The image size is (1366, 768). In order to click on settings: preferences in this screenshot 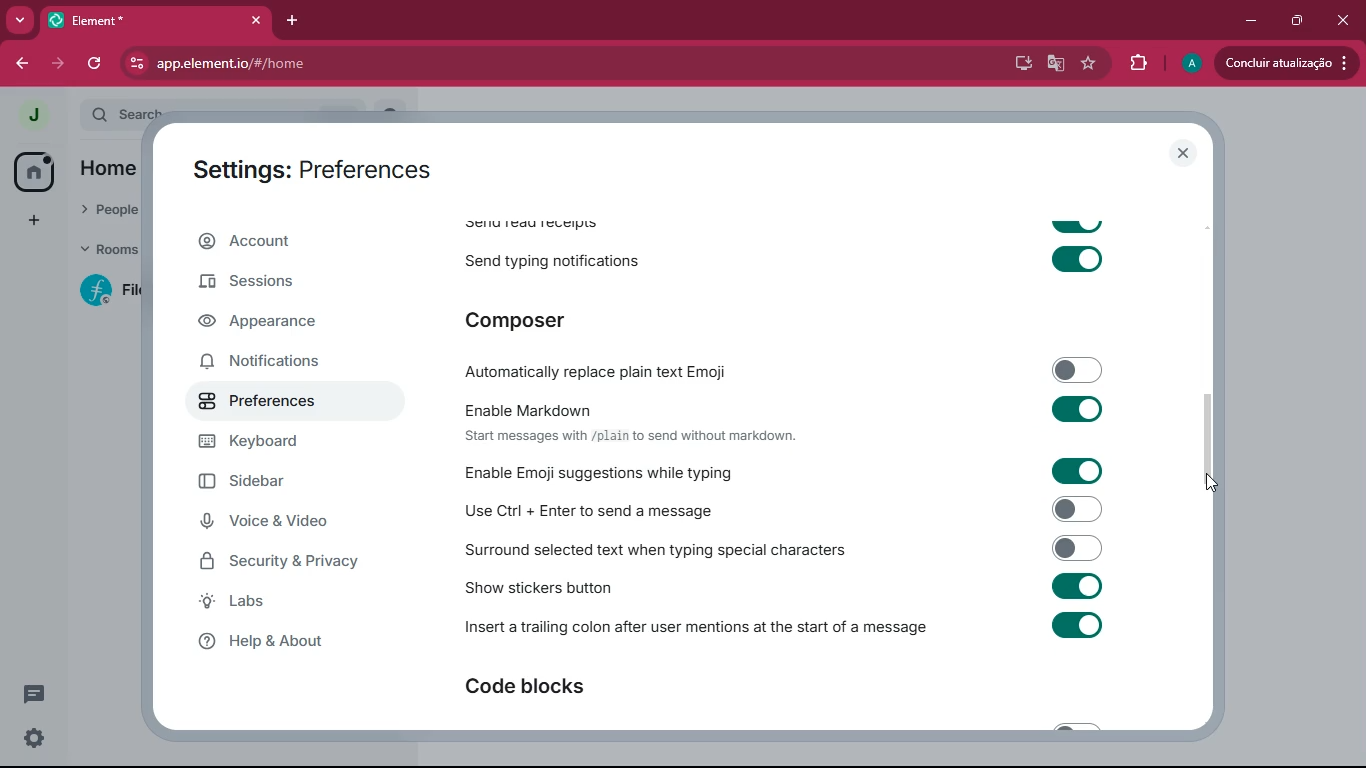, I will do `click(318, 171)`.